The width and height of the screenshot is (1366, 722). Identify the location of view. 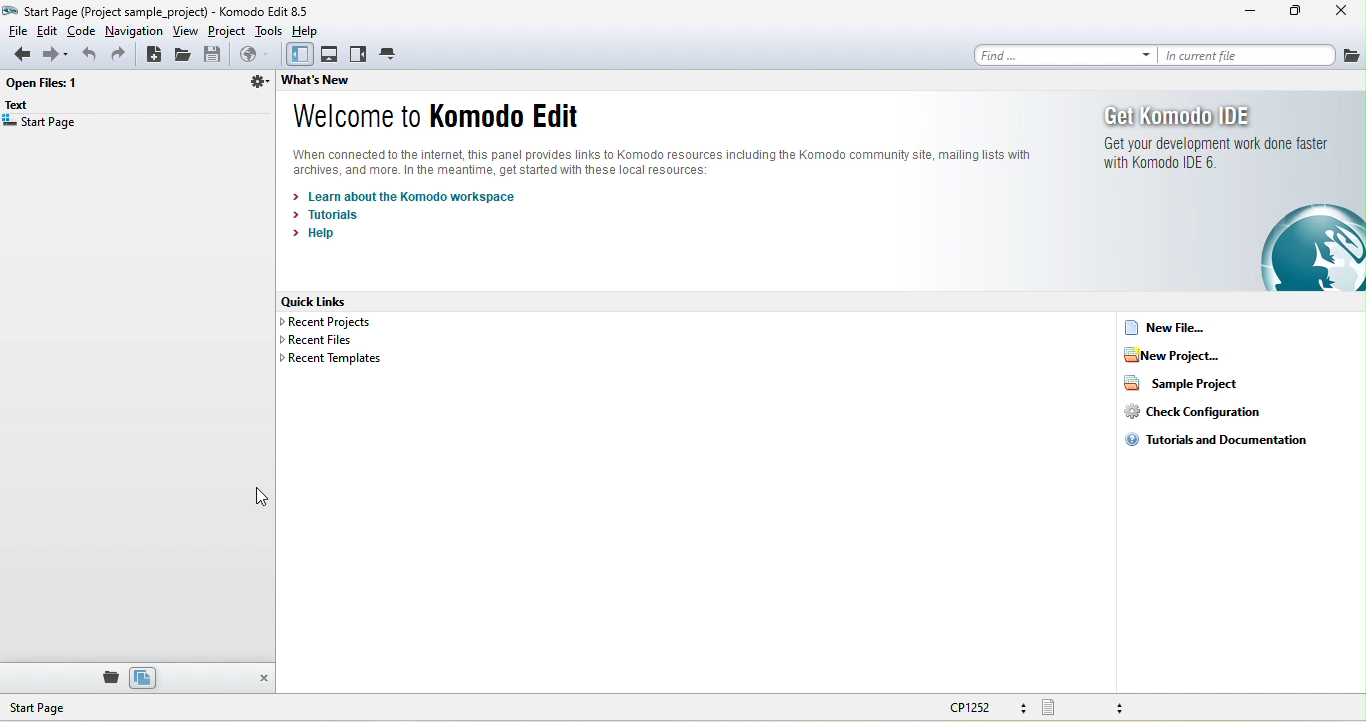
(187, 31).